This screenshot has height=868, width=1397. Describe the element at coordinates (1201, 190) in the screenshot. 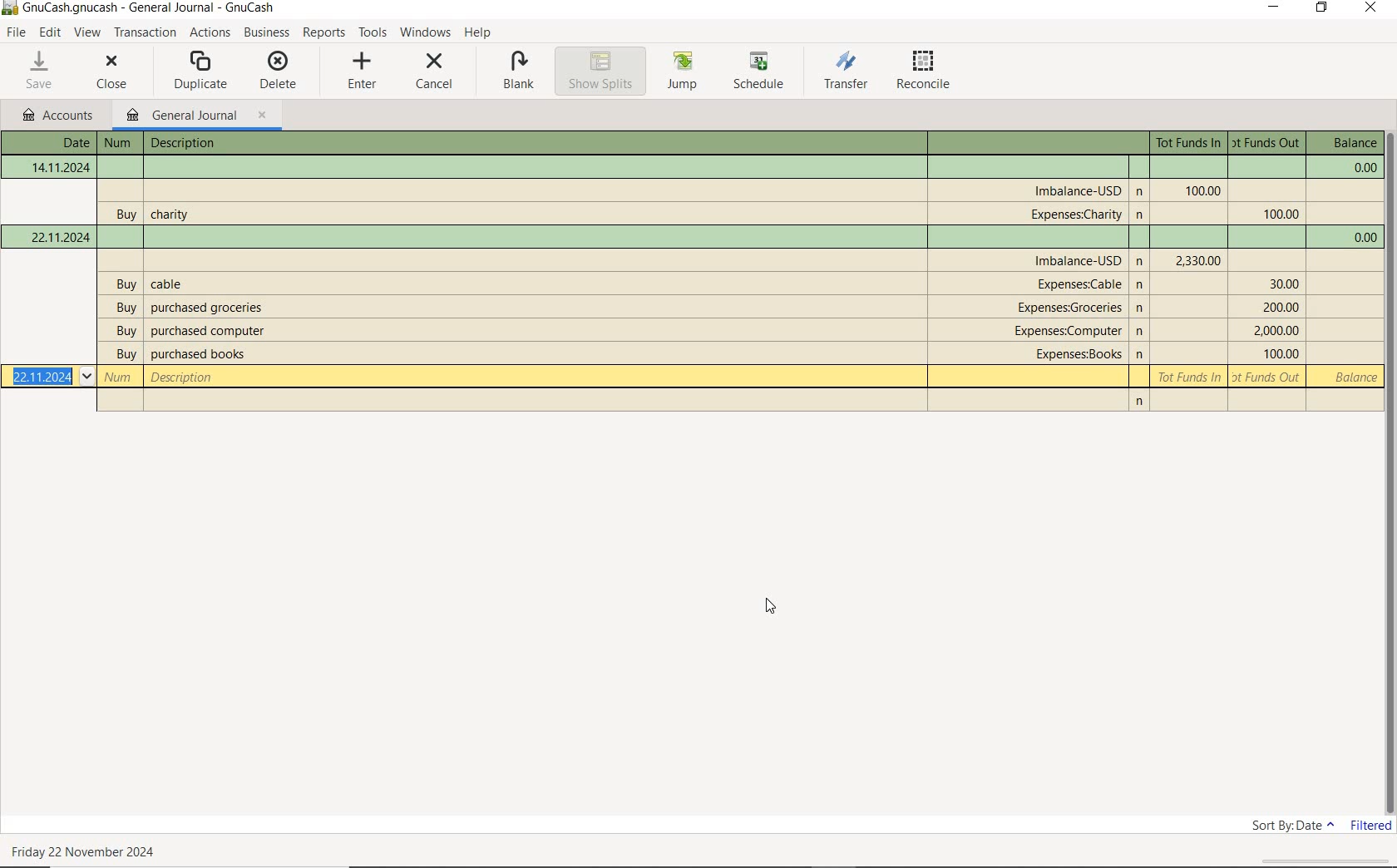

I see `Tot Funds In` at that location.